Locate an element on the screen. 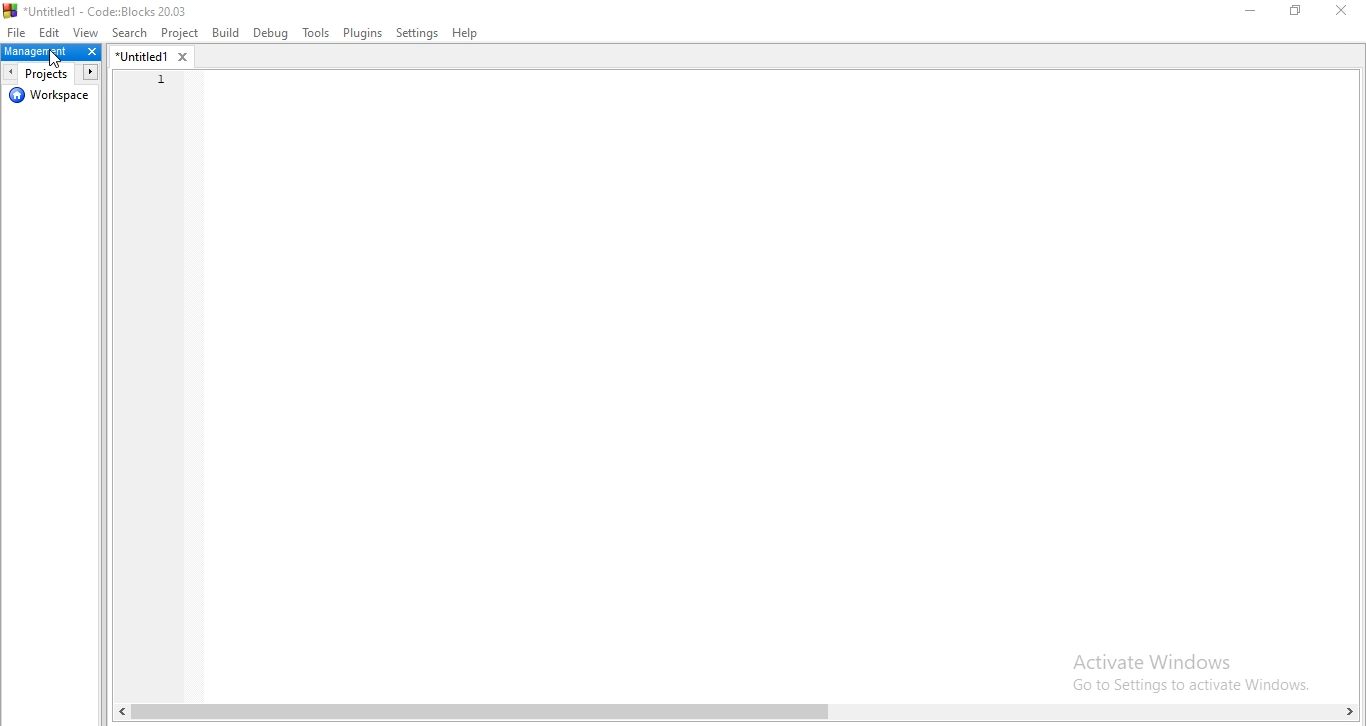 This screenshot has width=1366, height=726. management is located at coordinates (51, 53).